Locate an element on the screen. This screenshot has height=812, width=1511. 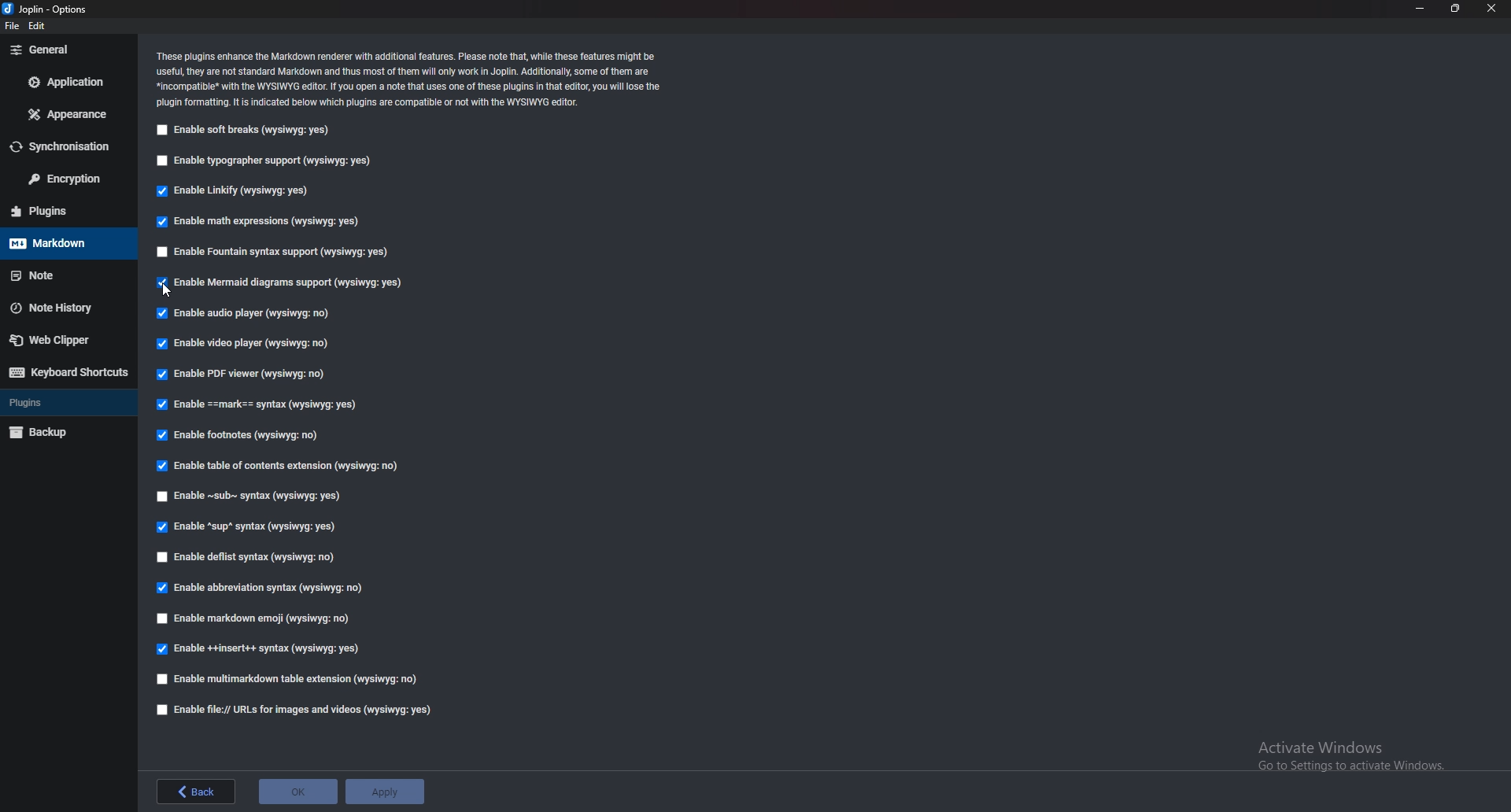
Mark down is located at coordinates (63, 242).